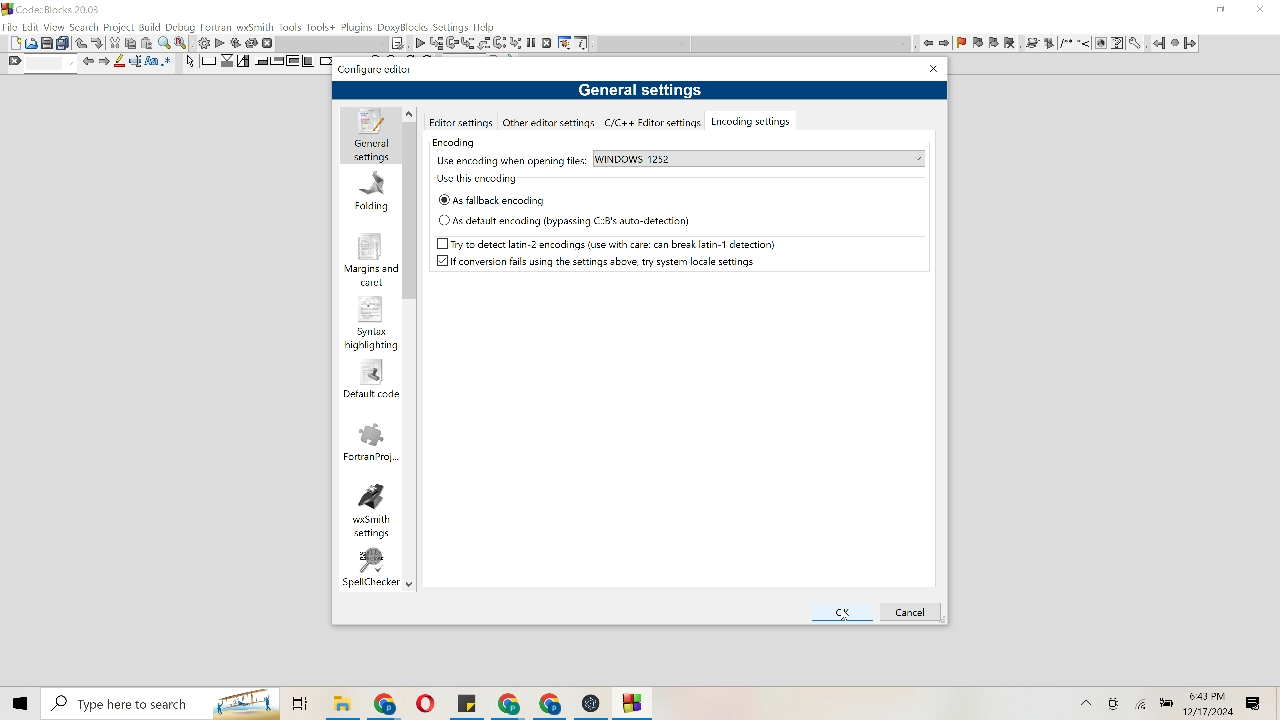 The width and height of the screenshot is (1280, 720). What do you see at coordinates (451, 28) in the screenshot?
I see `settings` at bounding box center [451, 28].